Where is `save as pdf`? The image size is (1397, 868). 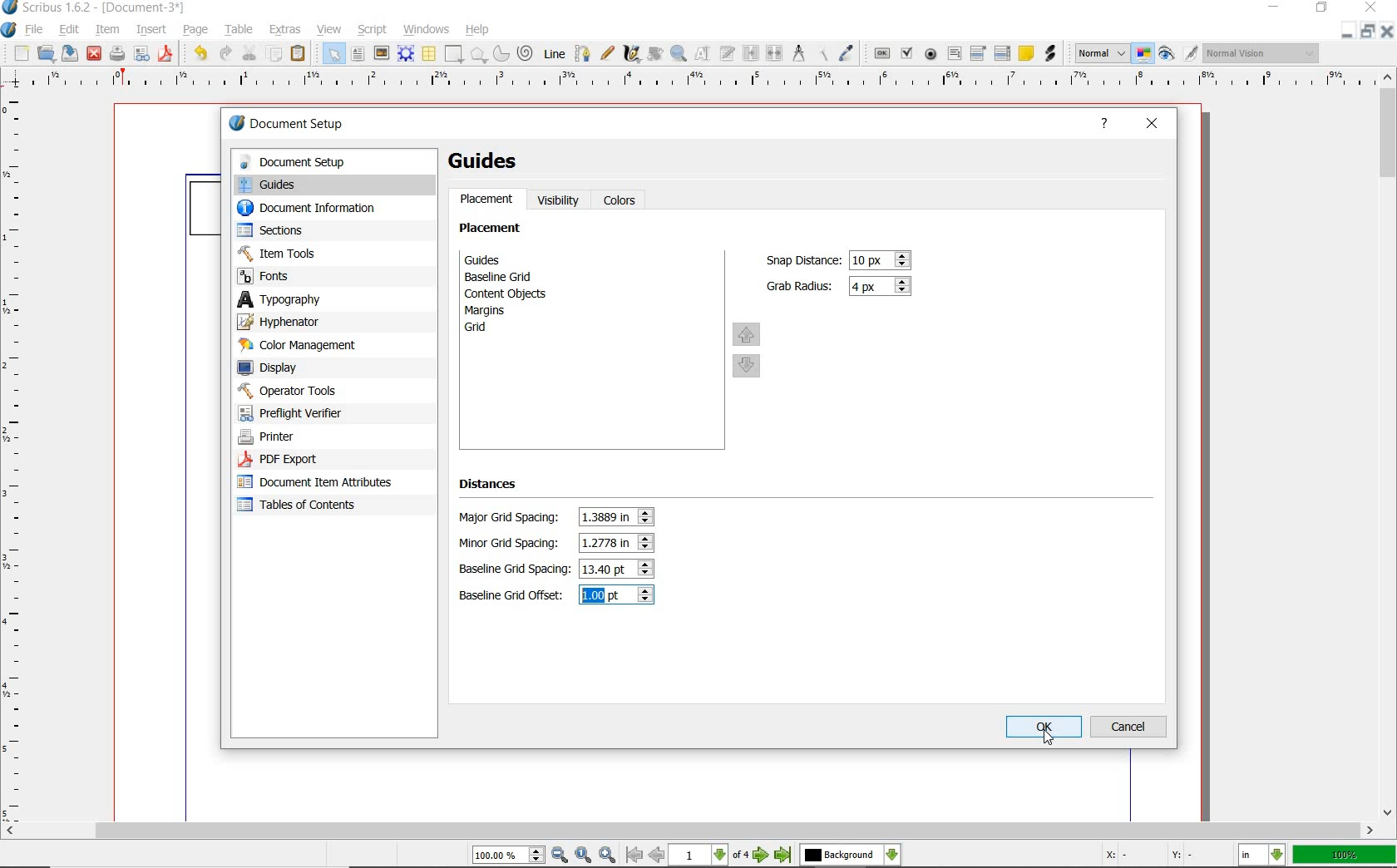
save as pdf is located at coordinates (164, 54).